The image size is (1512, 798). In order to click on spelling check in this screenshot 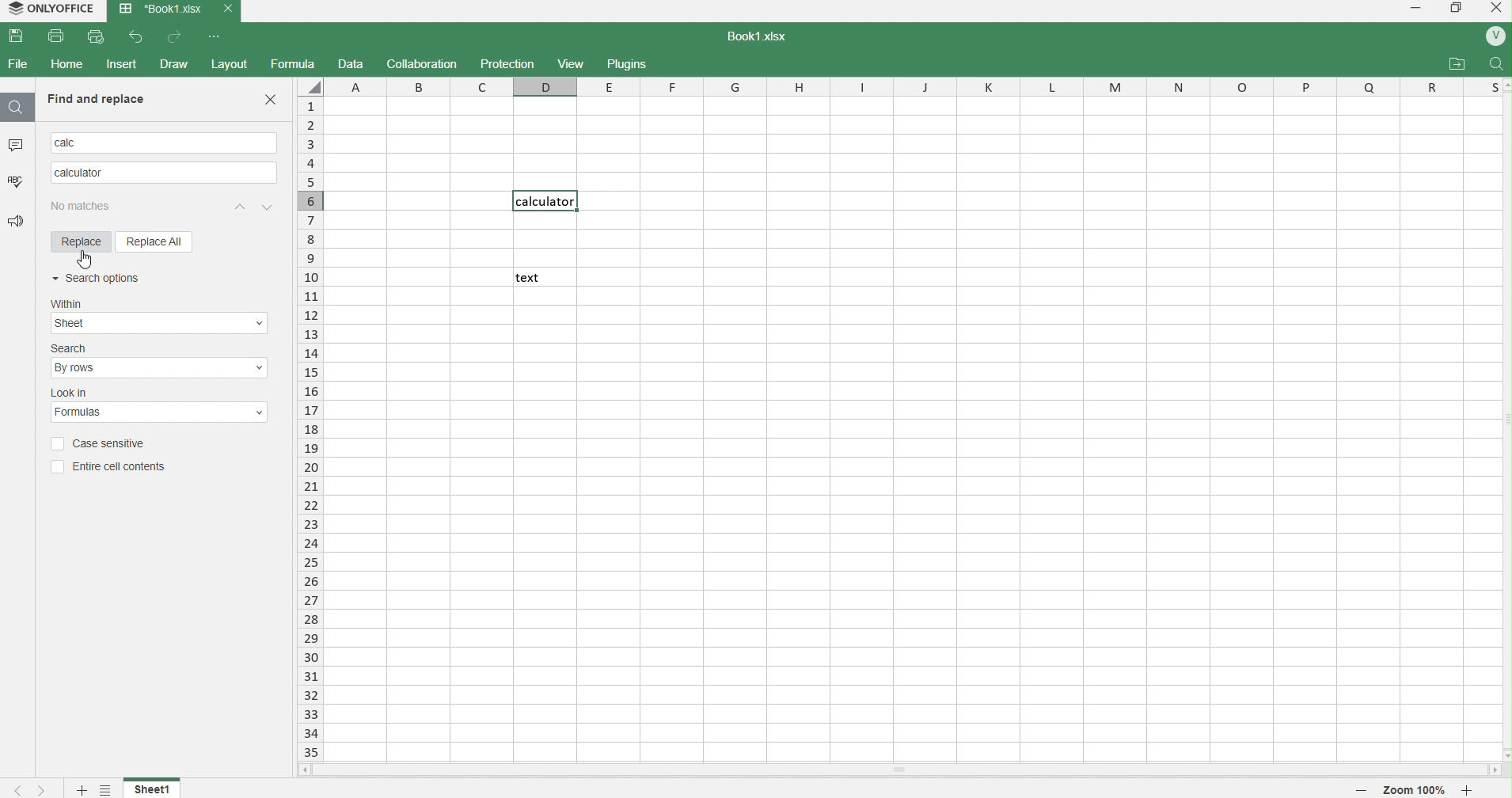, I will do `click(17, 182)`.